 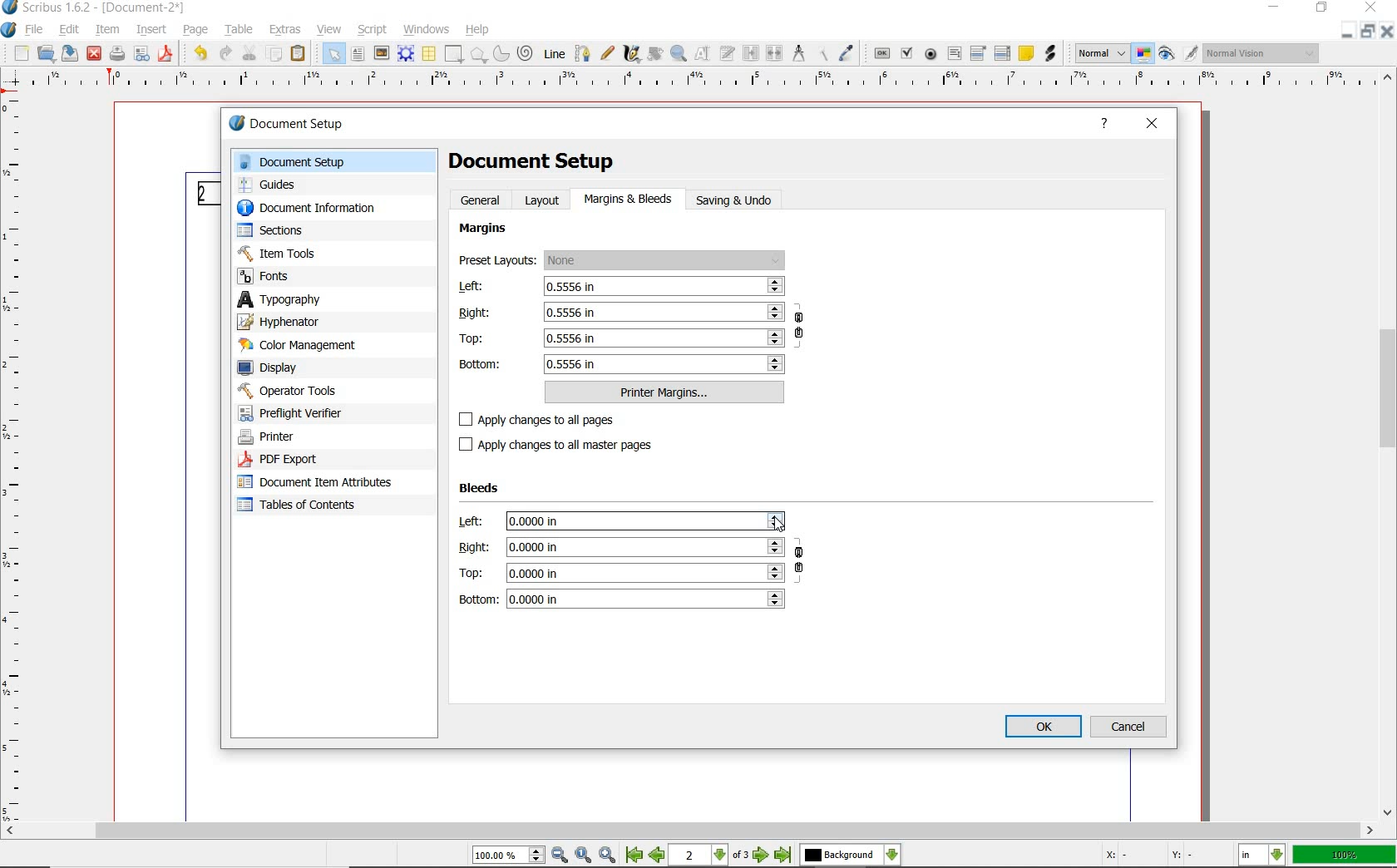 What do you see at coordinates (197, 31) in the screenshot?
I see `page` at bounding box center [197, 31].